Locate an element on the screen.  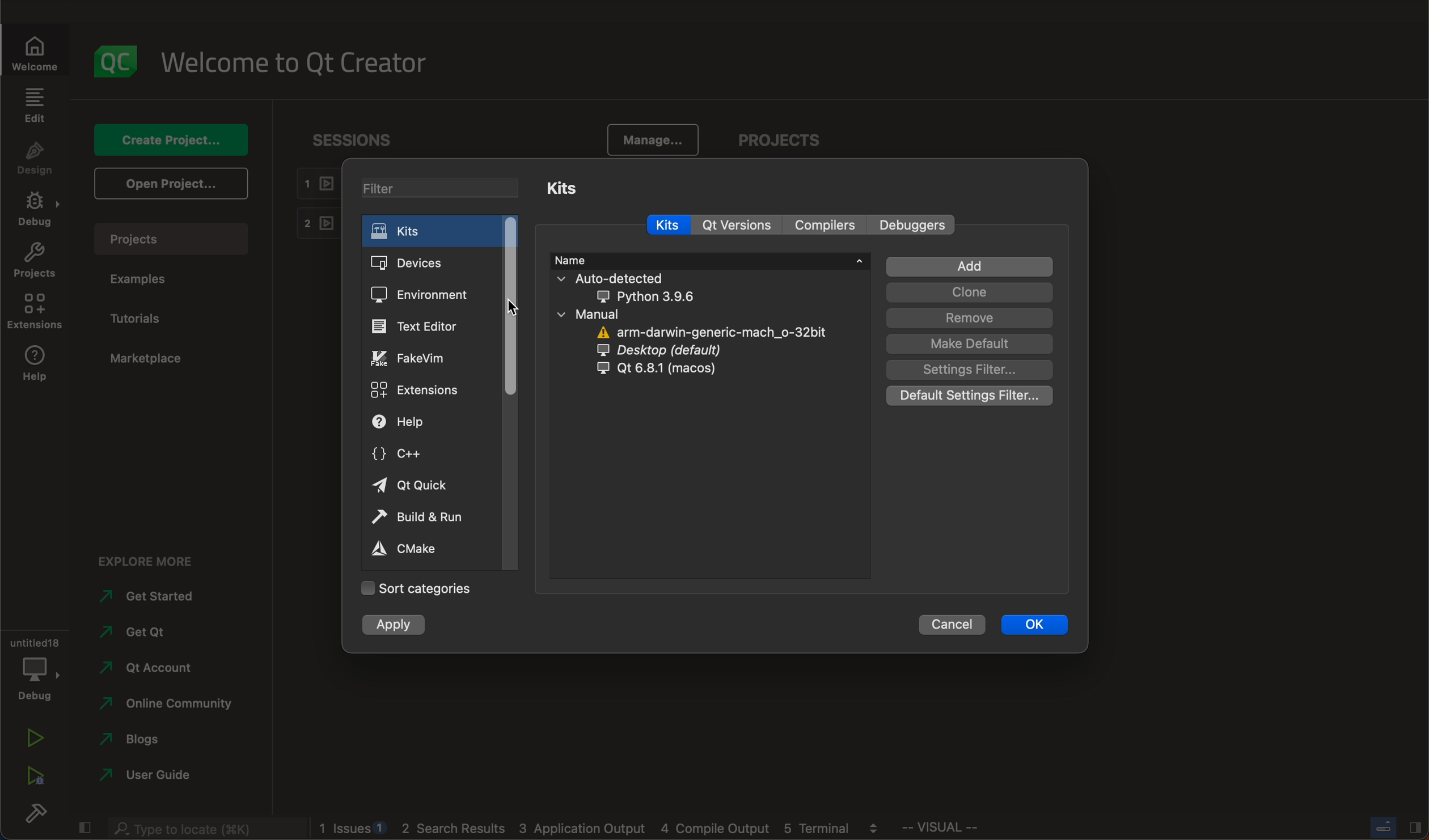
close slidebar is located at coordinates (84, 828).